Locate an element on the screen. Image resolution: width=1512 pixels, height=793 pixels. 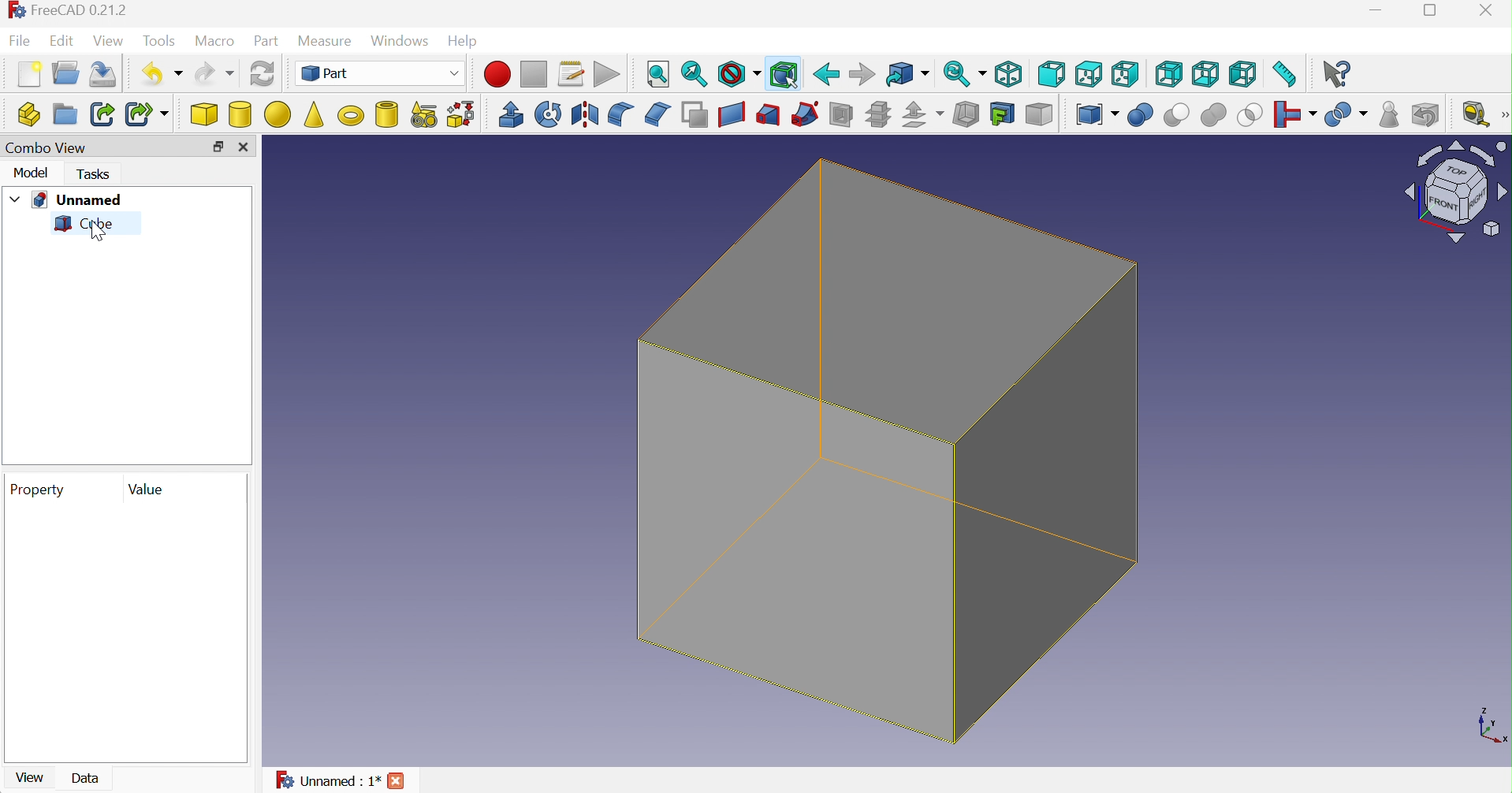
Macros is located at coordinates (572, 75).